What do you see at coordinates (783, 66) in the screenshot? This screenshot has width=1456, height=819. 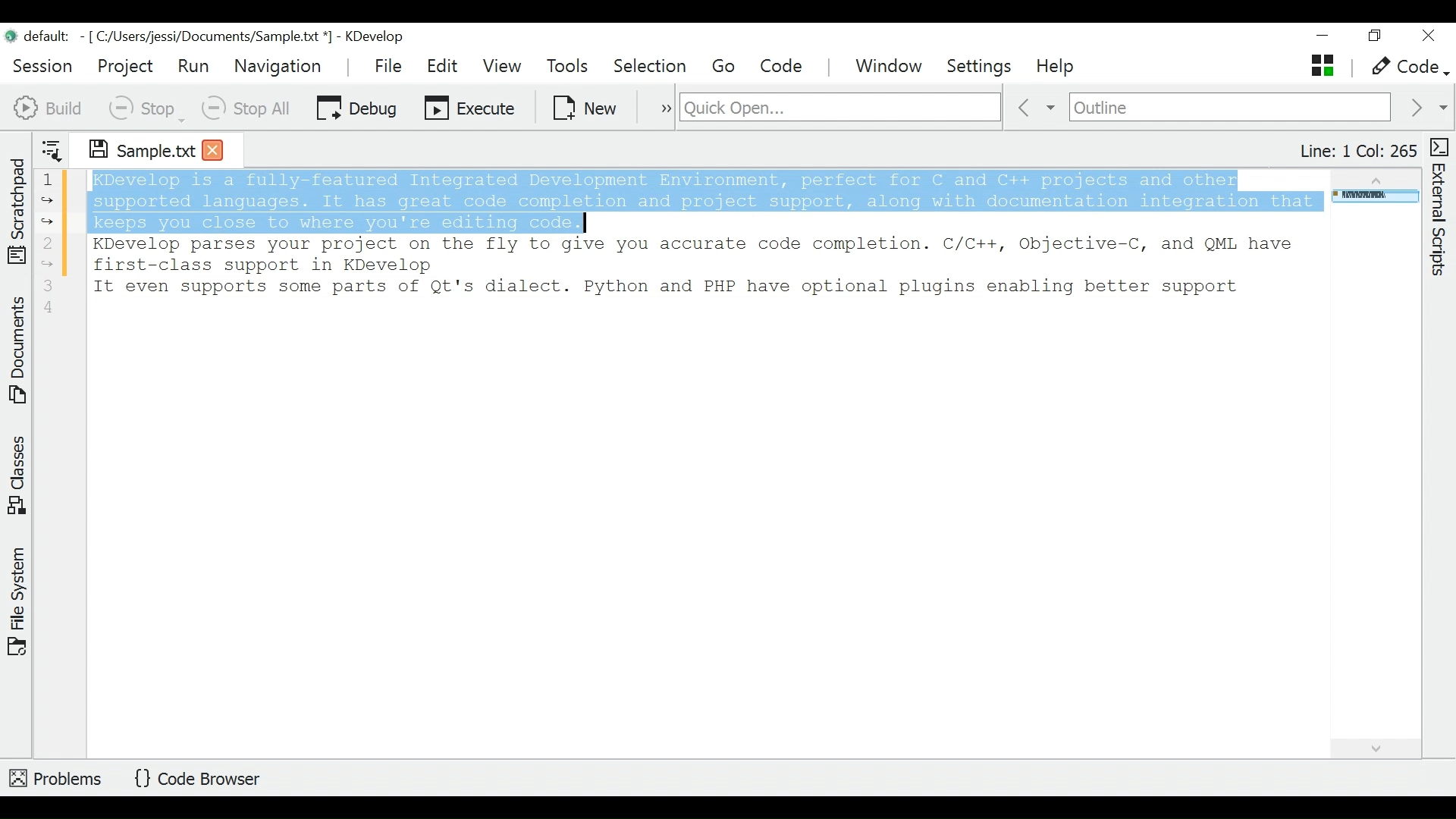 I see `Code` at bounding box center [783, 66].